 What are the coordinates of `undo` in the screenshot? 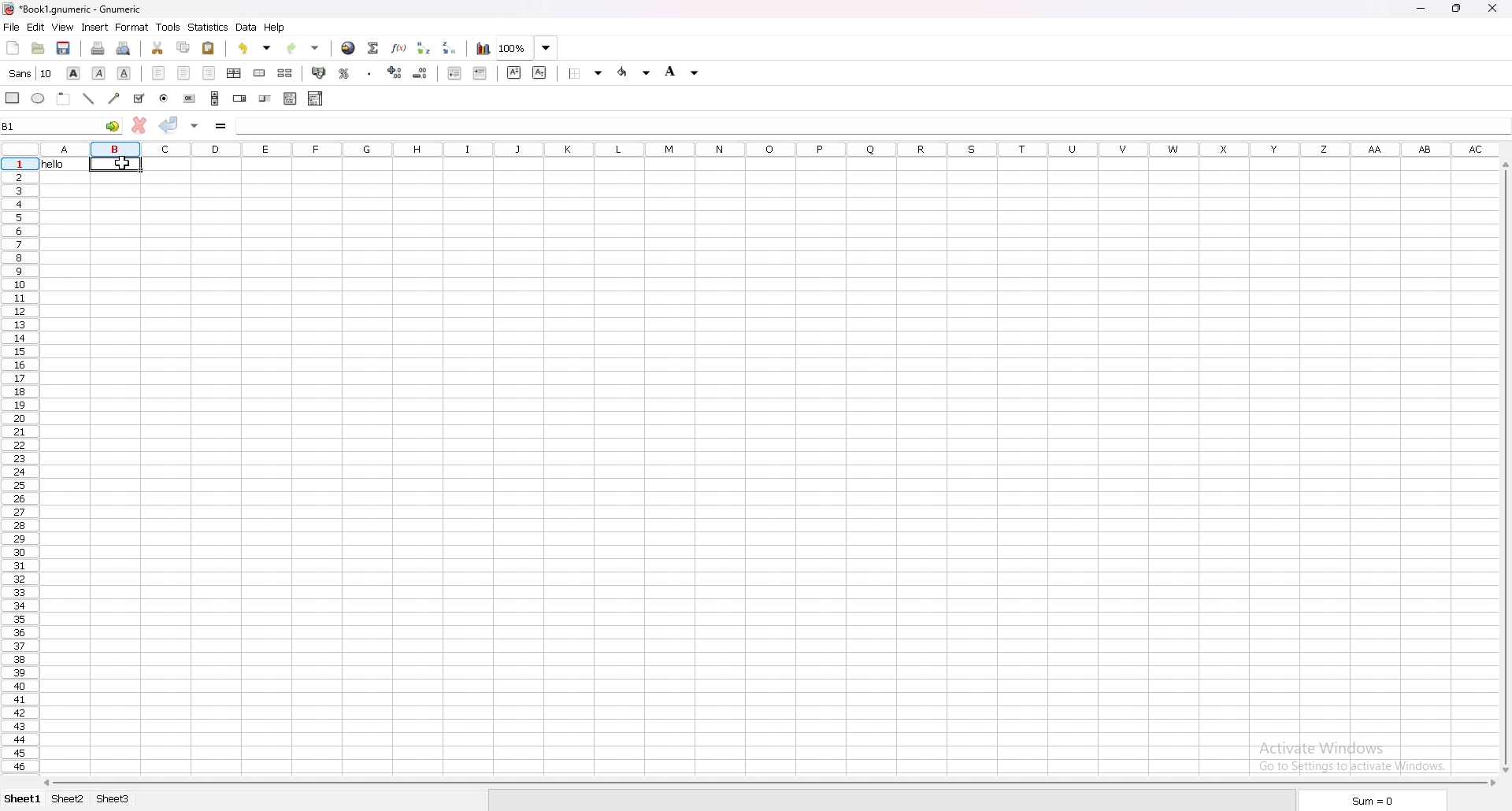 It's located at (255, 48).